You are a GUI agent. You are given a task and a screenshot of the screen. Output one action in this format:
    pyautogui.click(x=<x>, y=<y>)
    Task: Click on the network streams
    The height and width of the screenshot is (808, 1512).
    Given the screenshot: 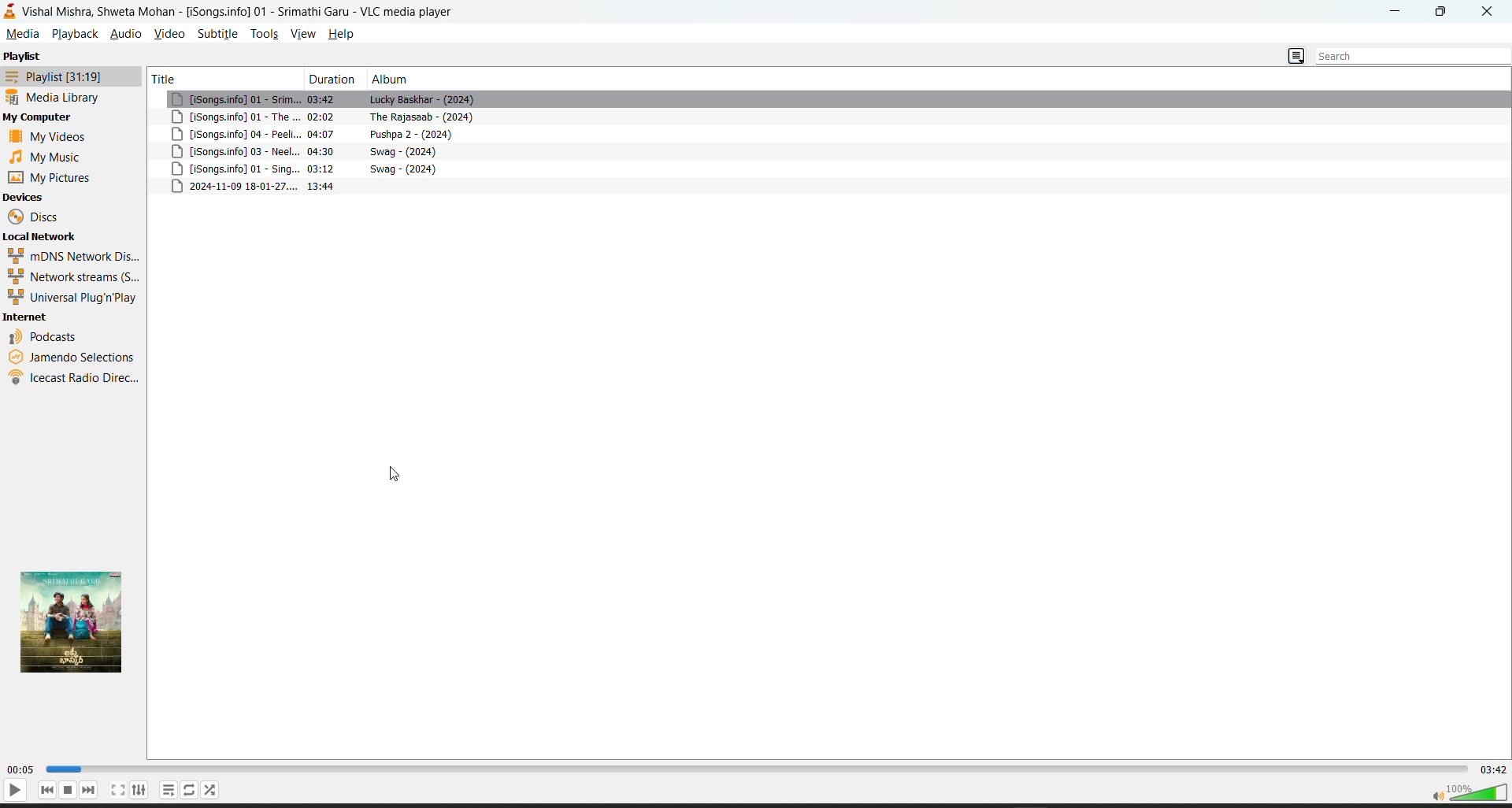 What is the action you would take?
    pyautogui.click(x=69, y=276)
    